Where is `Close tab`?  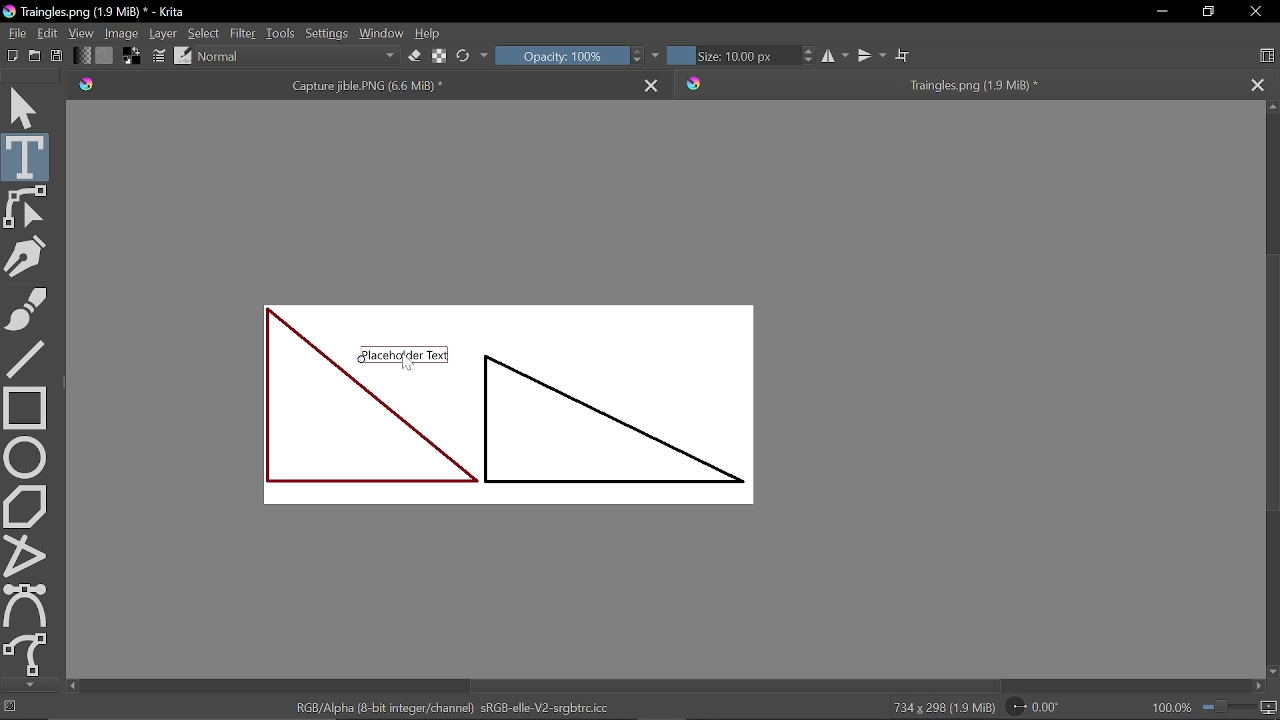
Close tab is located at coordinates (1258, 84).